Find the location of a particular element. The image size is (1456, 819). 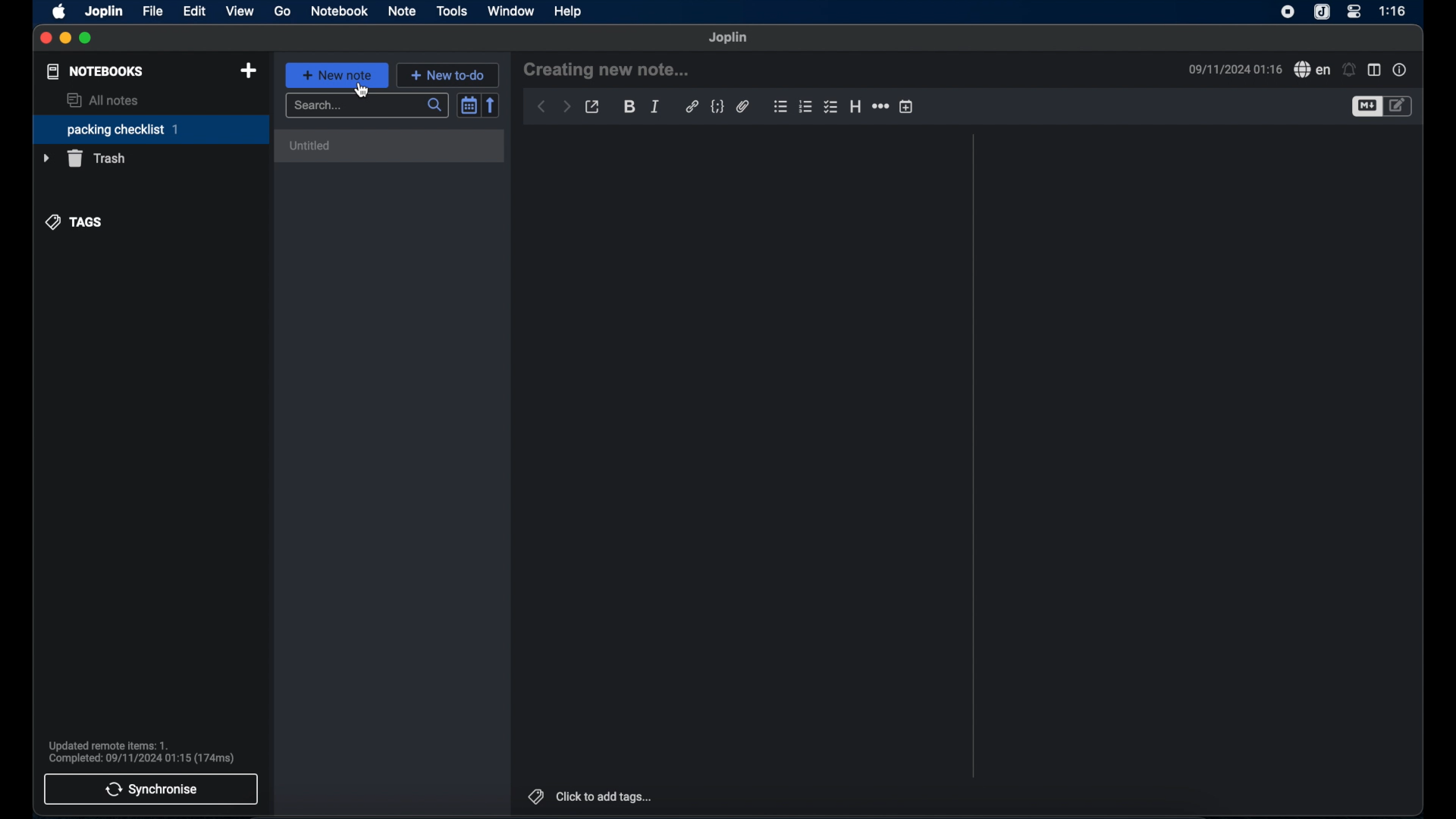

code is located at coordinates (717, 106).